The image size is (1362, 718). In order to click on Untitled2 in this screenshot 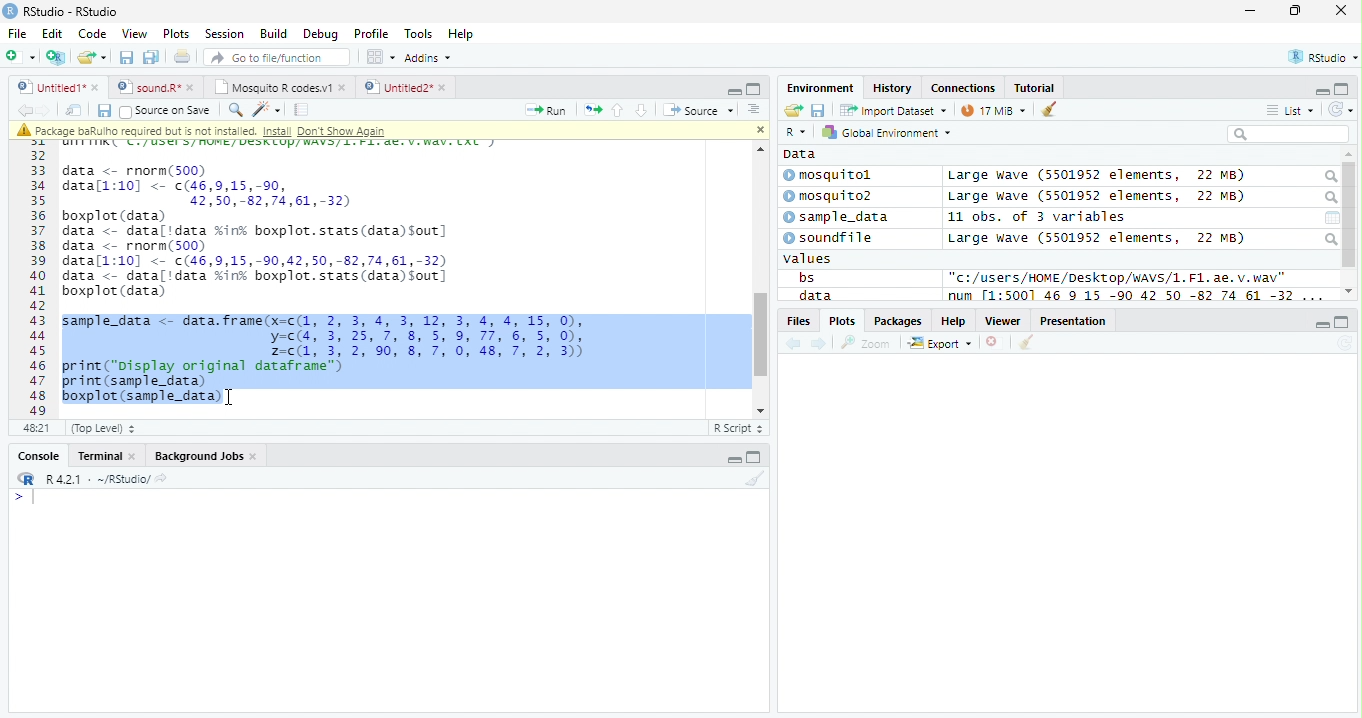, I will do `click(405, 88)`.